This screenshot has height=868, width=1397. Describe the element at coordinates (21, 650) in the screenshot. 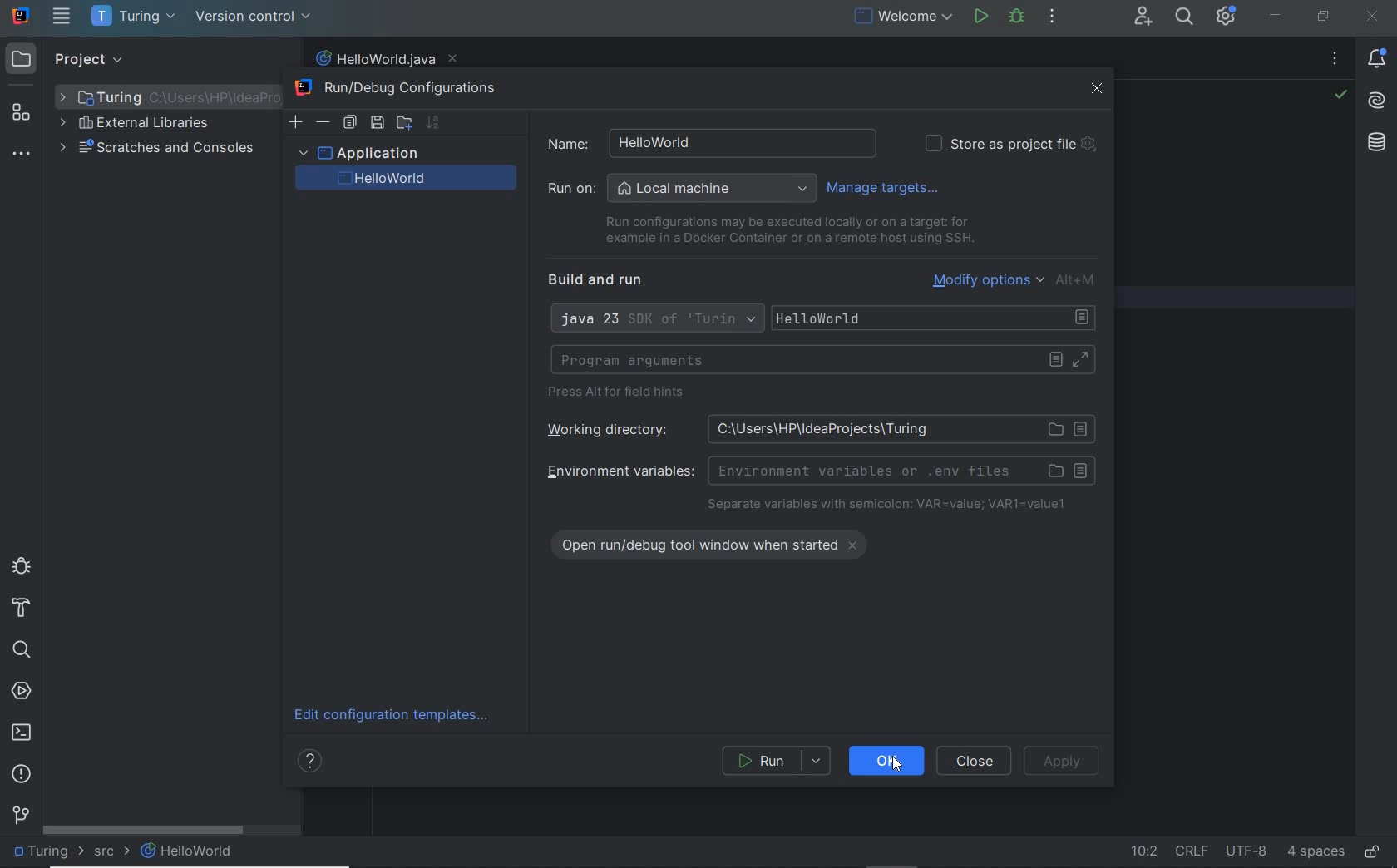

I see `search` at that location.